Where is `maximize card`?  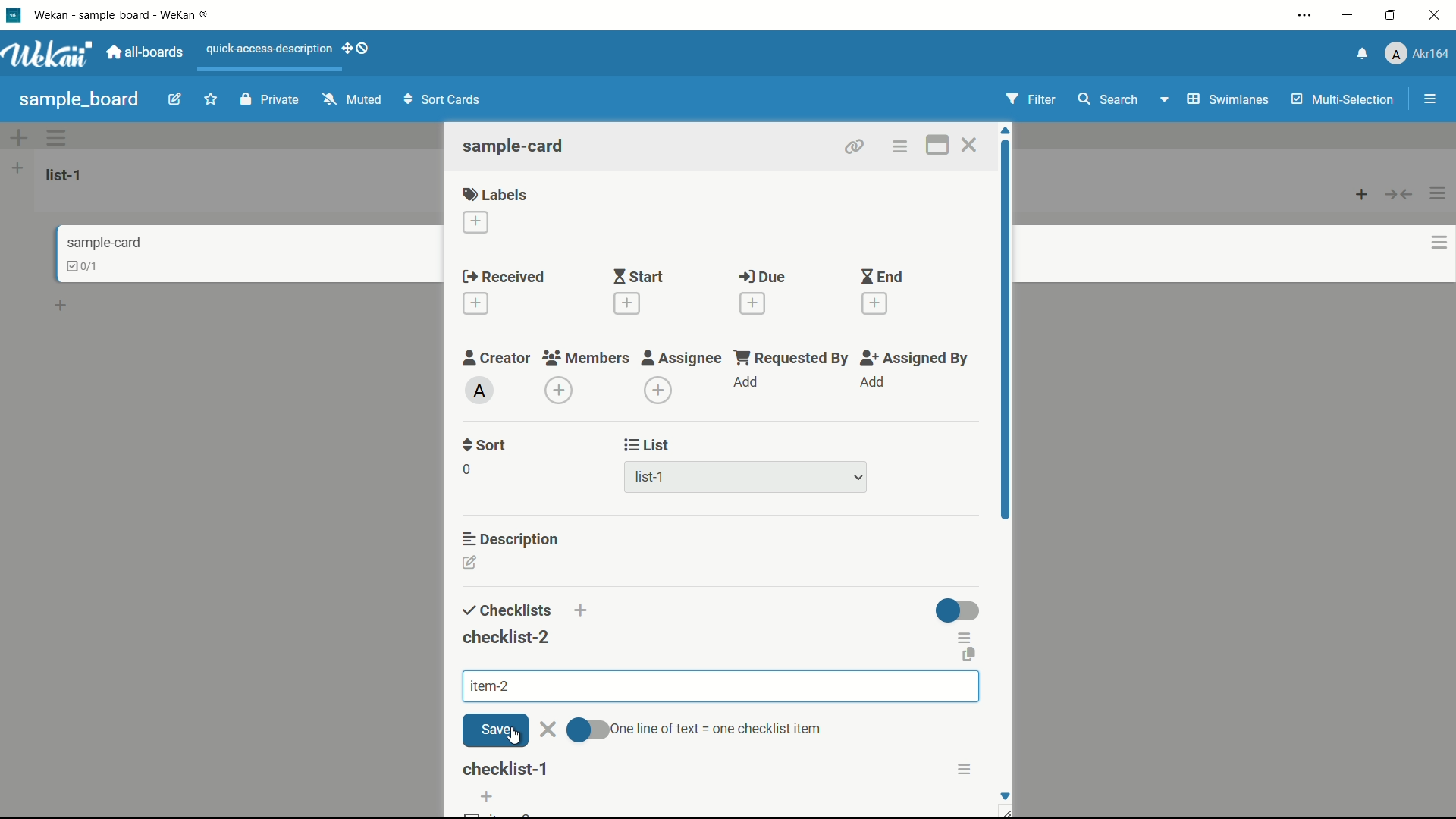
maximize card is located at coordinates (937, 147).